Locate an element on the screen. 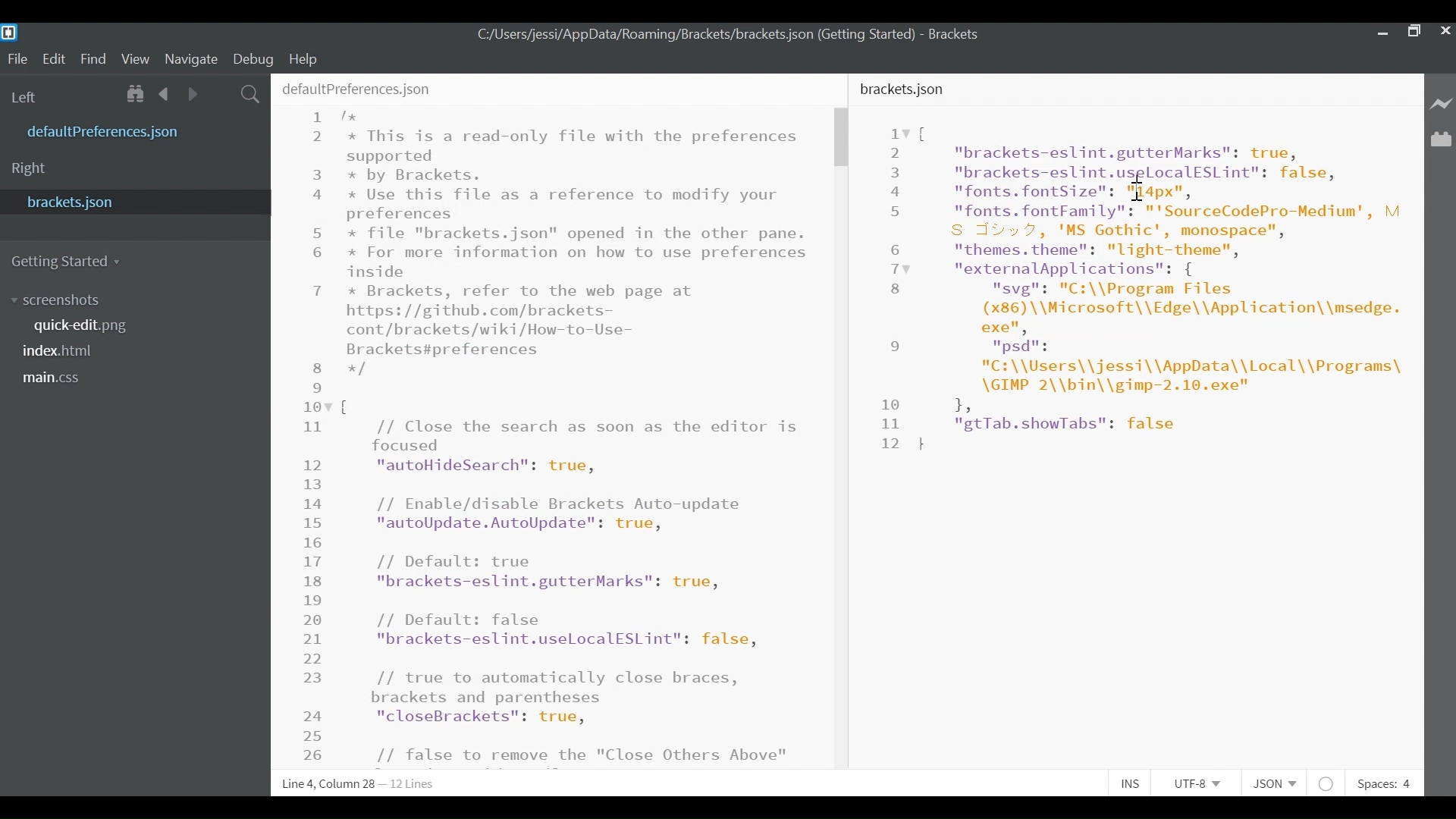 The height and width of the screenshot is (819, 1456). File  is located at coordinates (14, 58).